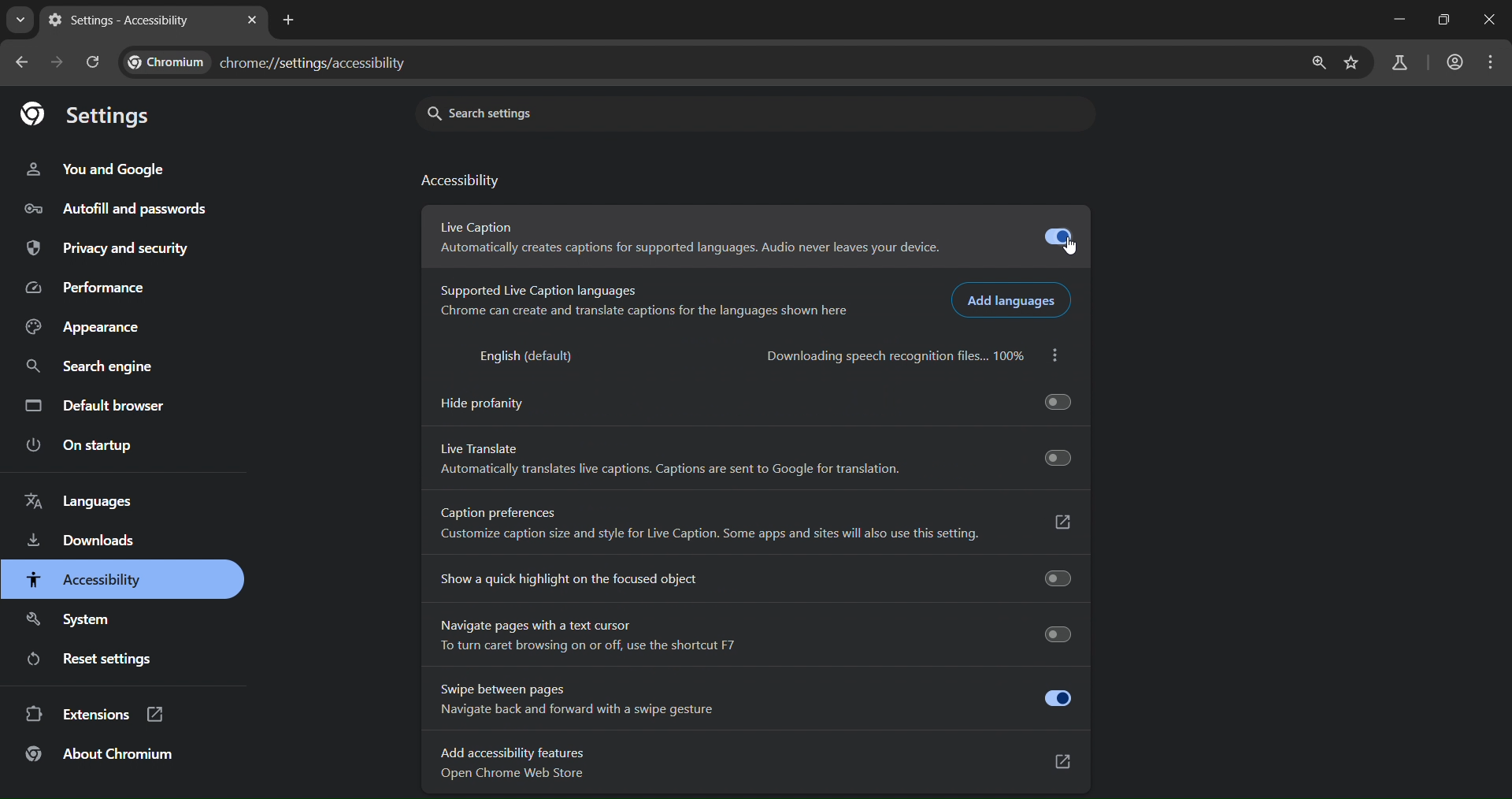  I want to click on new tab, so click(291, 21).